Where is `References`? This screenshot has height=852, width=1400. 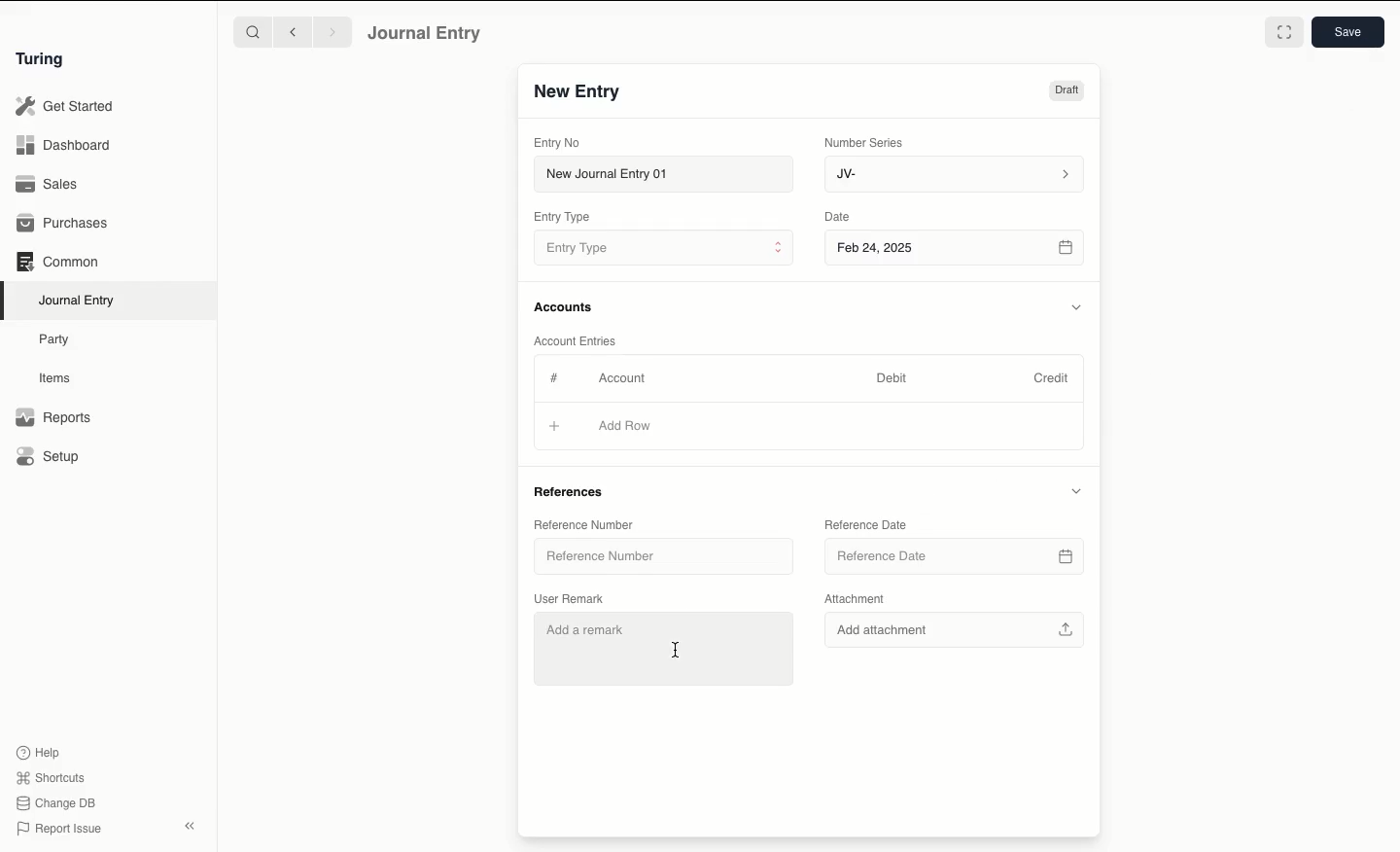
References is located at coordinates (576, 492).